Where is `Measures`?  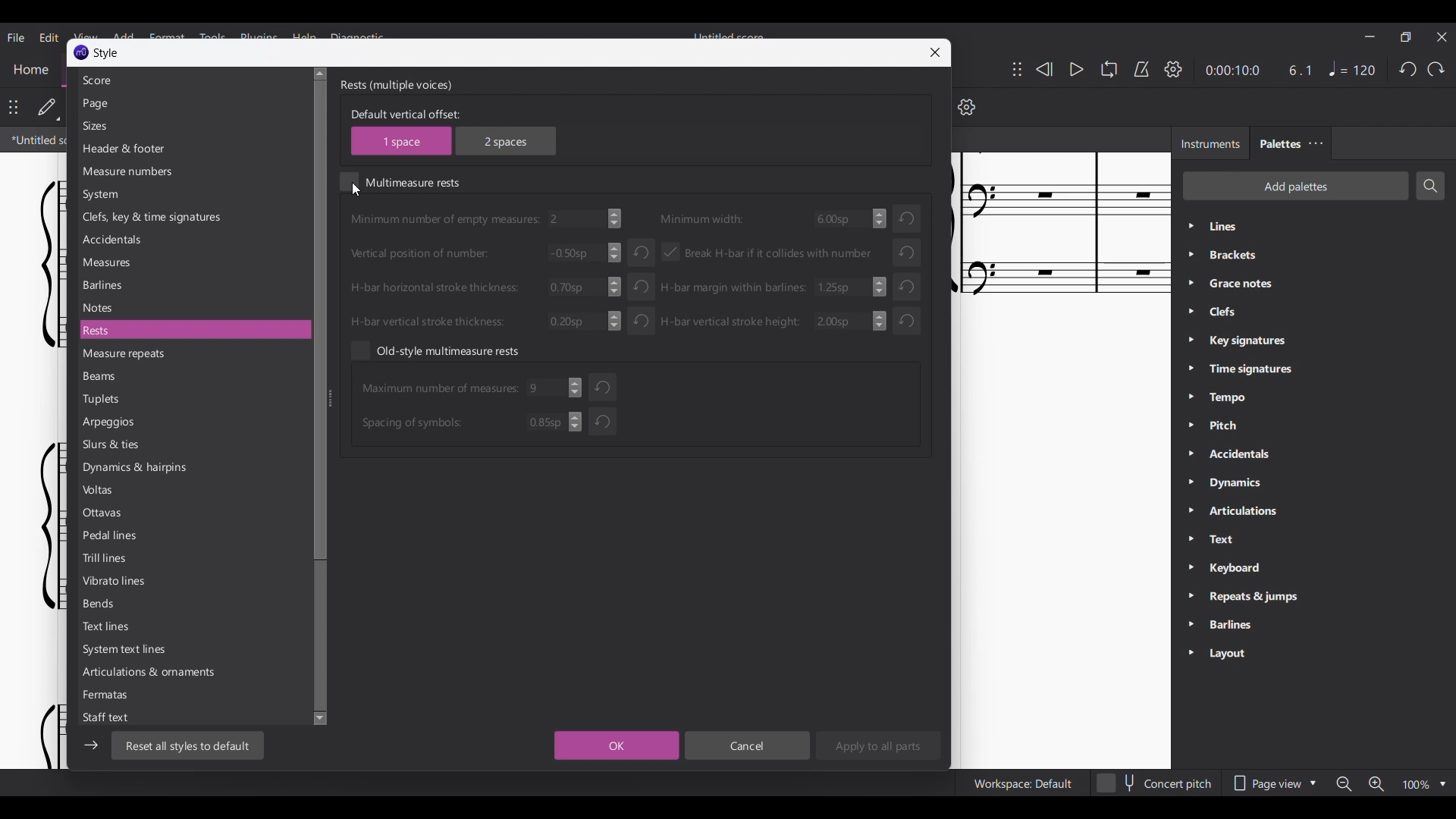
Measures is located at coordinates (193, 262).